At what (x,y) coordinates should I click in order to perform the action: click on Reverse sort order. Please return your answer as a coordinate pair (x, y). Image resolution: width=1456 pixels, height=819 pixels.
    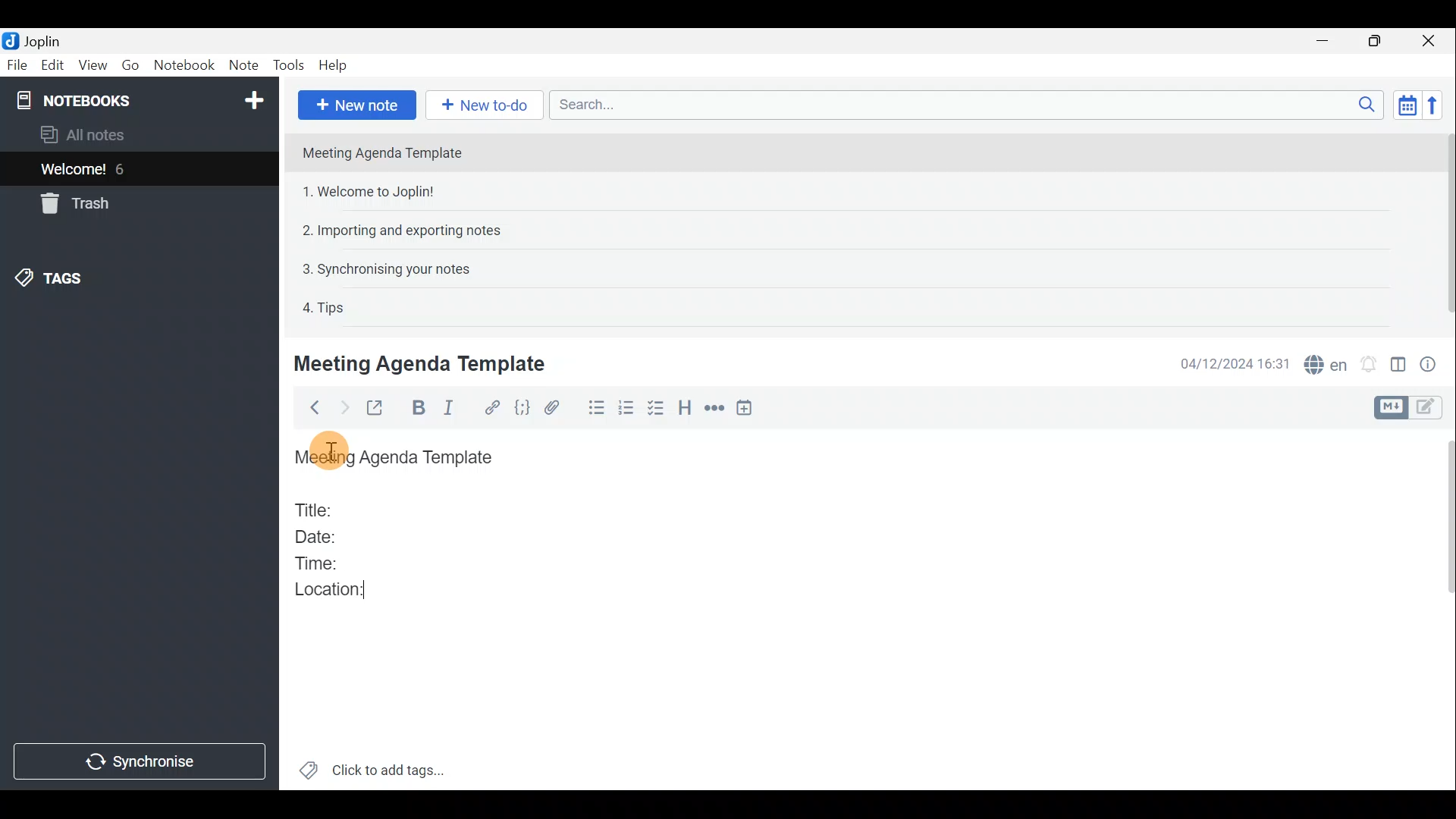
    Looking at the image, I should click on (1434, 105).